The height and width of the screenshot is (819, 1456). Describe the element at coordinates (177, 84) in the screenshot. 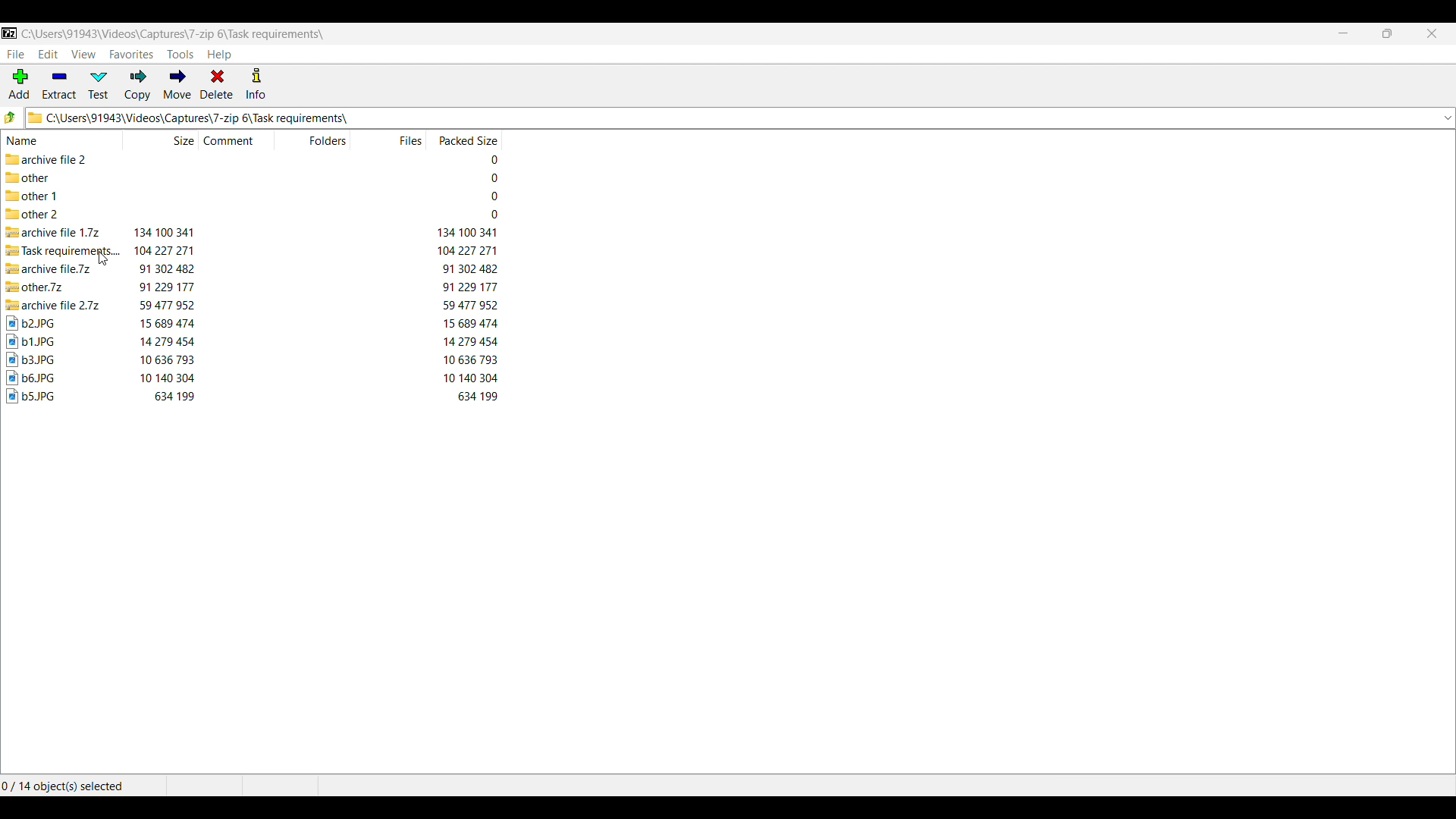

I see `Move` at that location.